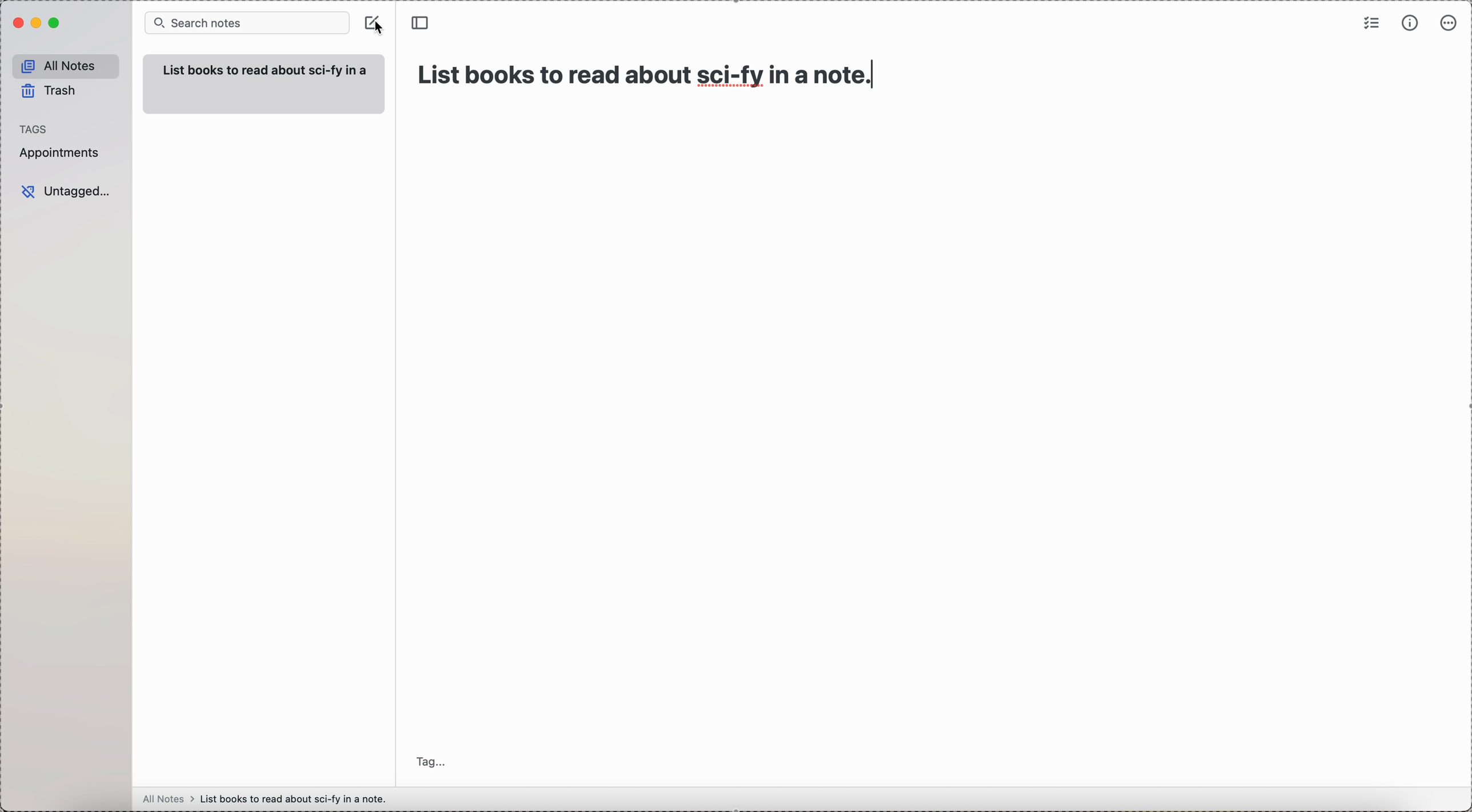 Image resolution: width=1472 pixels, height=812 pixels. I want to click on tag, so click(433, 762).